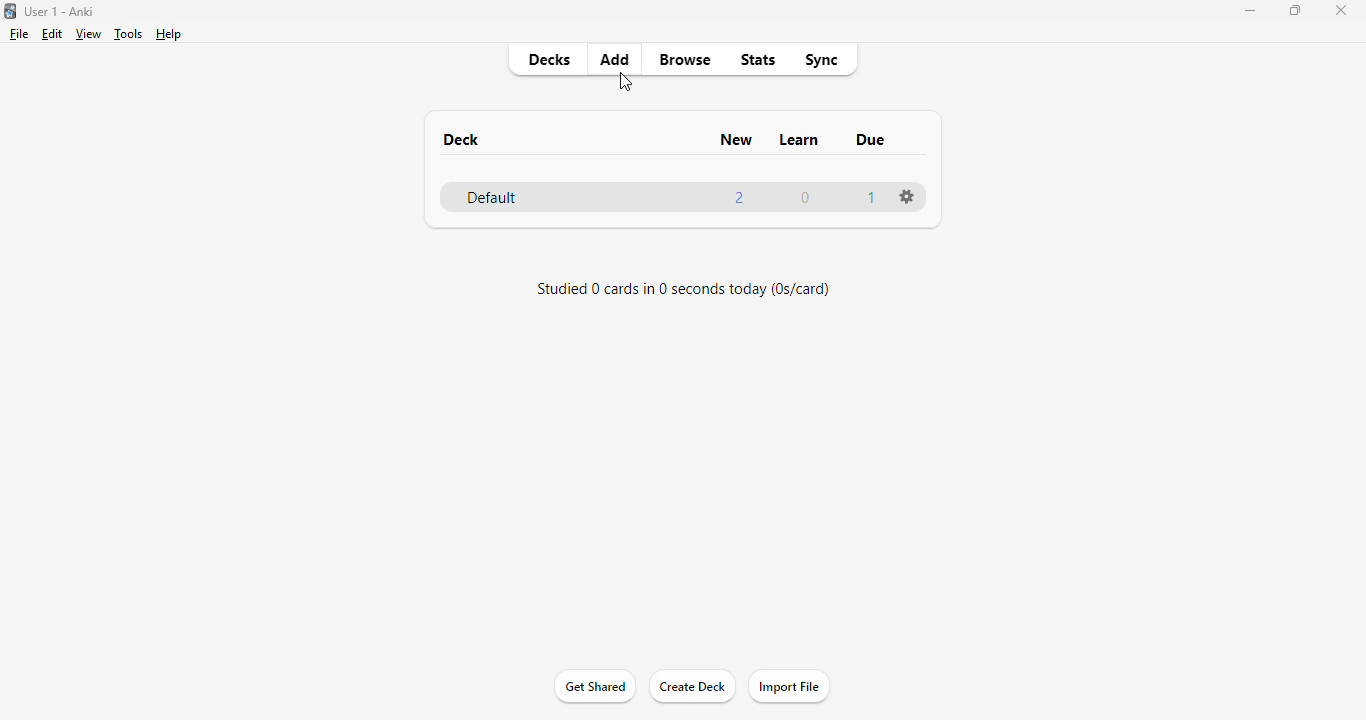  Describe the element at coordinates (460, 140) in the screenshot. I see `deck` at that location.